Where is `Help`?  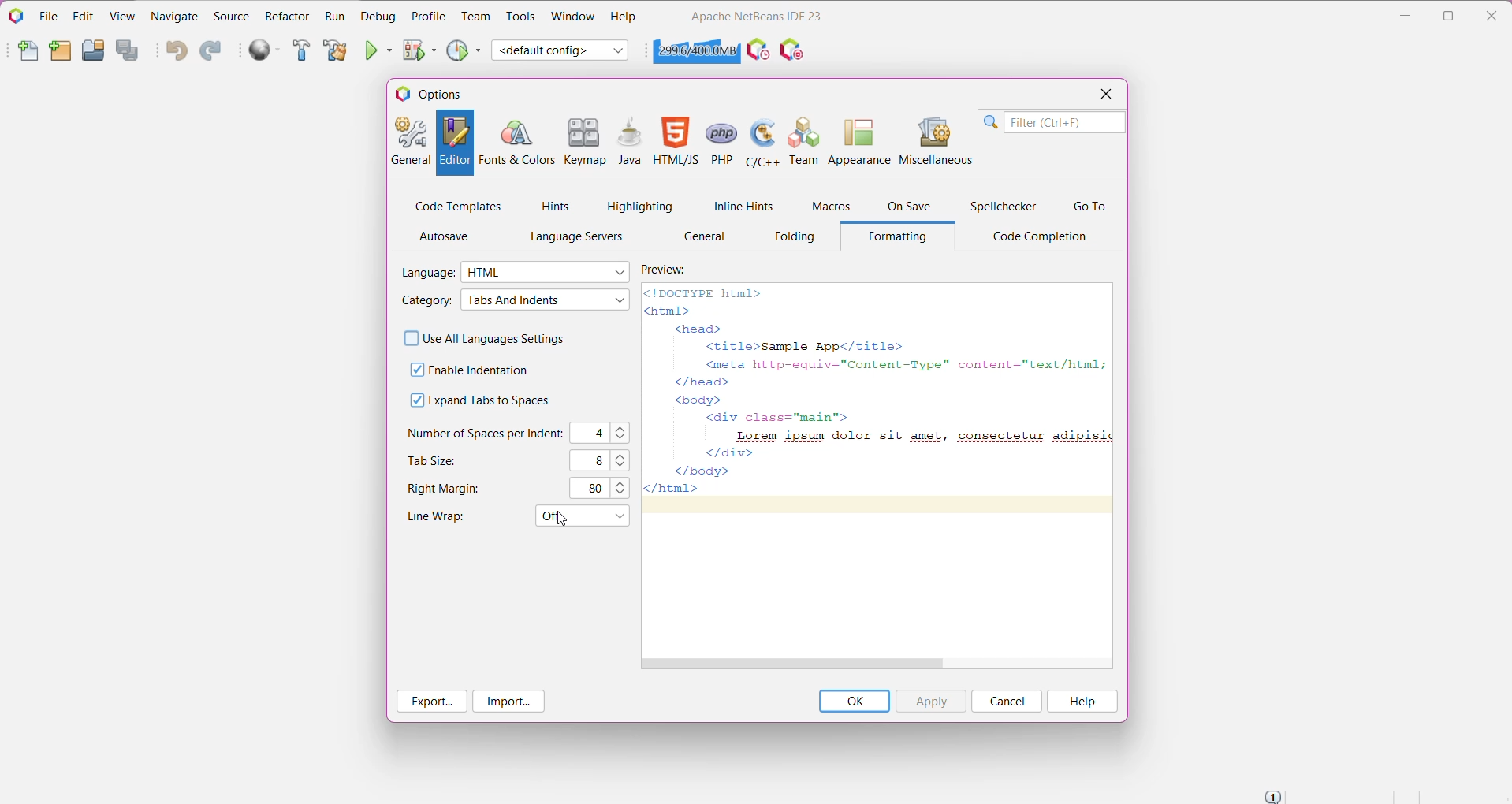
Help is located at coordinates (624, 18).